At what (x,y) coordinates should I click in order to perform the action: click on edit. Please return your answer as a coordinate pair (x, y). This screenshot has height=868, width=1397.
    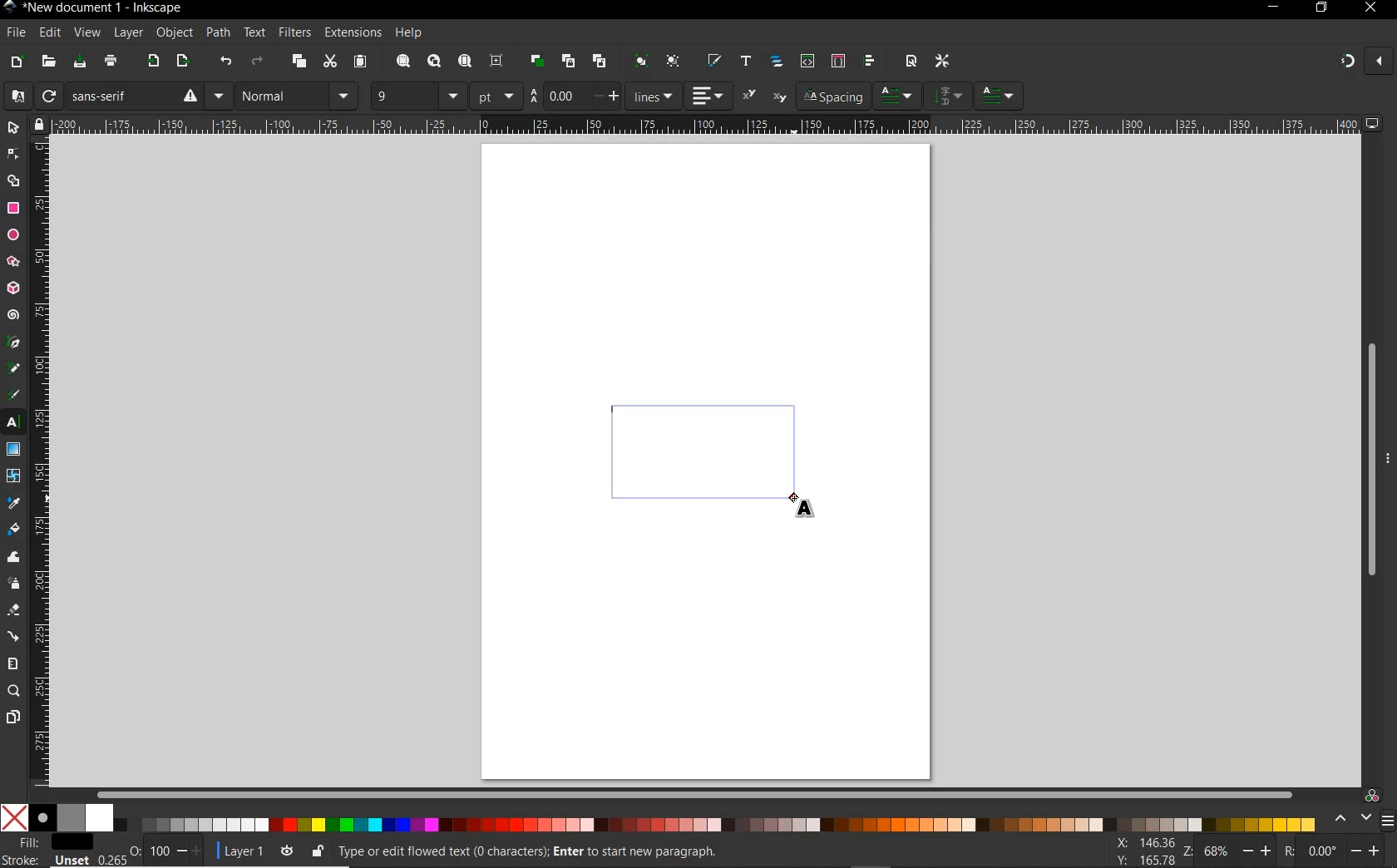
    Looking at the image, I should click on (49, 33).